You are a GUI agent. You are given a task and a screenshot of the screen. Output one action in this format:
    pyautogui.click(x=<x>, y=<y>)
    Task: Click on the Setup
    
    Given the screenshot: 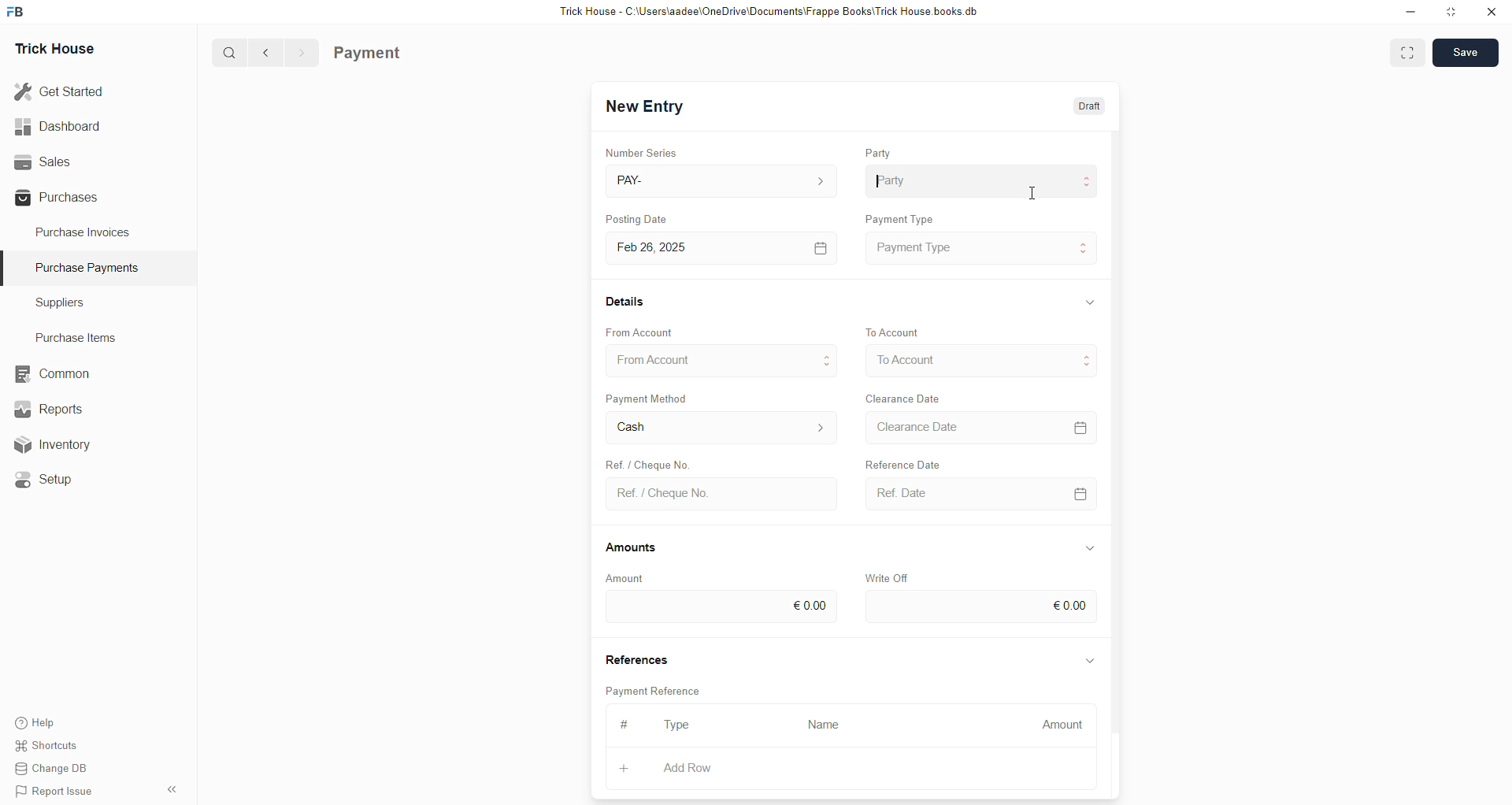 What is the action you would take?
    pyautogui.click(x=43, y=478)
    